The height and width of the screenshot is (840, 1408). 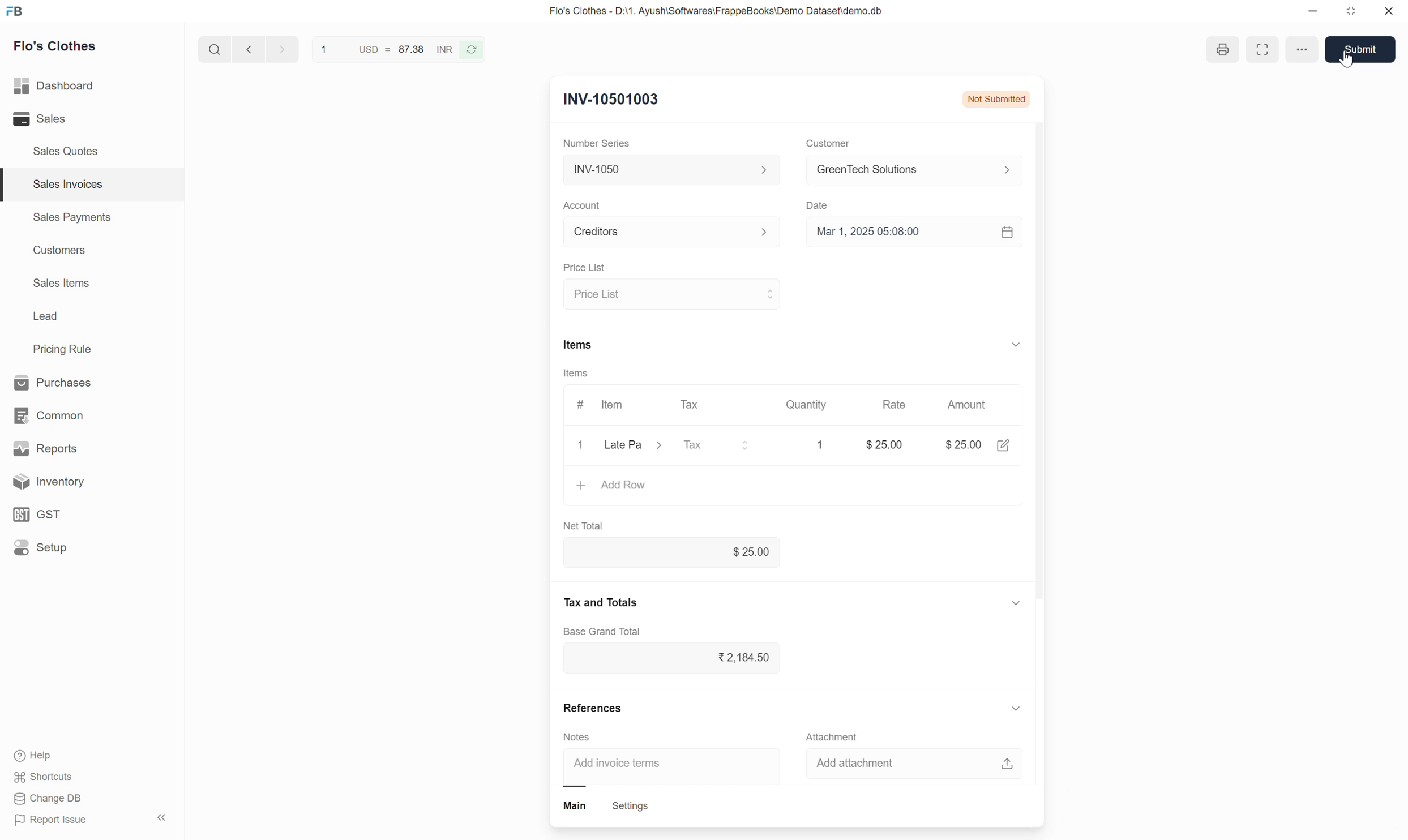 What do you see at coordinates (718, 444) in the screenshot?
I see `select tax` at bounding box center [718, 444].